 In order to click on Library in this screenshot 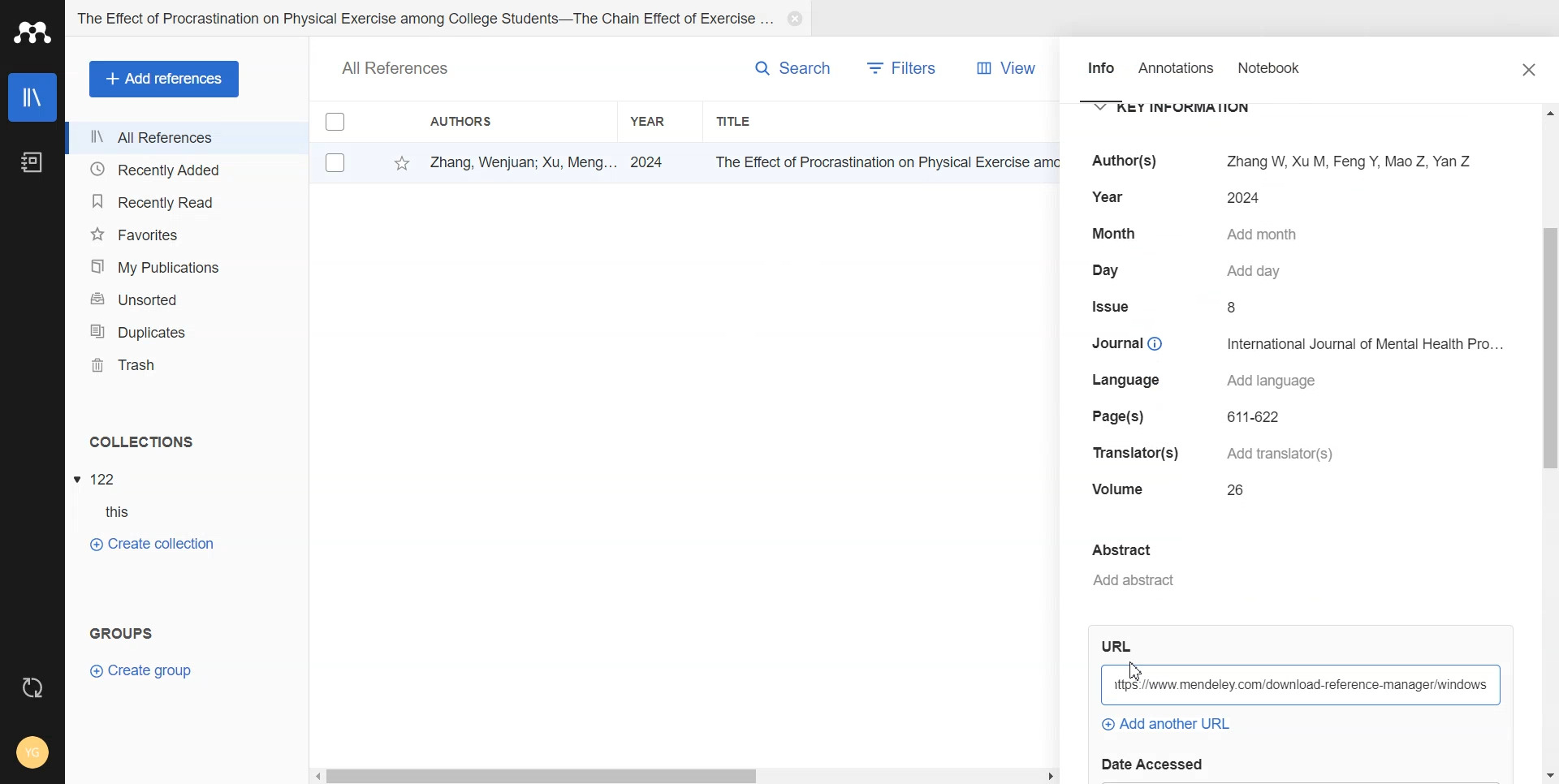, I will do `click(32, 97)`.